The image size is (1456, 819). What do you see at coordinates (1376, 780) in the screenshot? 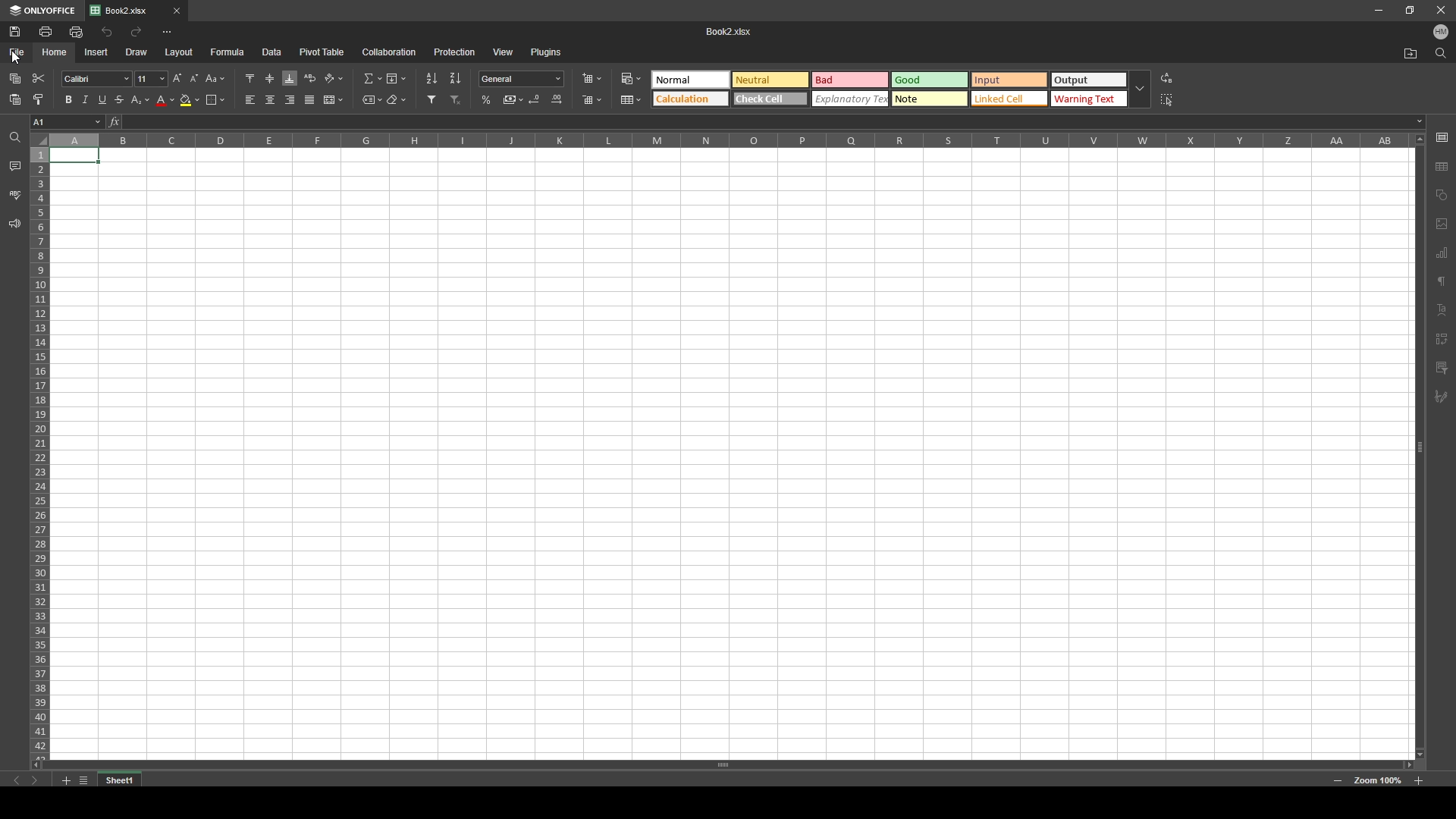
I see `zoom` at bounding box center [1376, 780].